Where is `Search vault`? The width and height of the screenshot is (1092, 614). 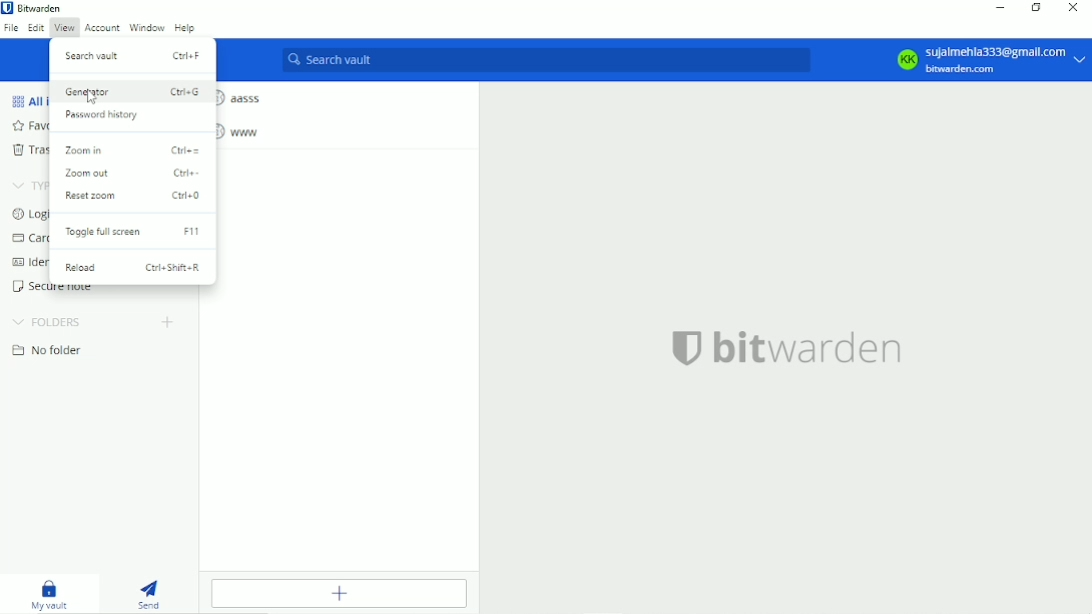
Search vault is located at coordinates (133, 56).